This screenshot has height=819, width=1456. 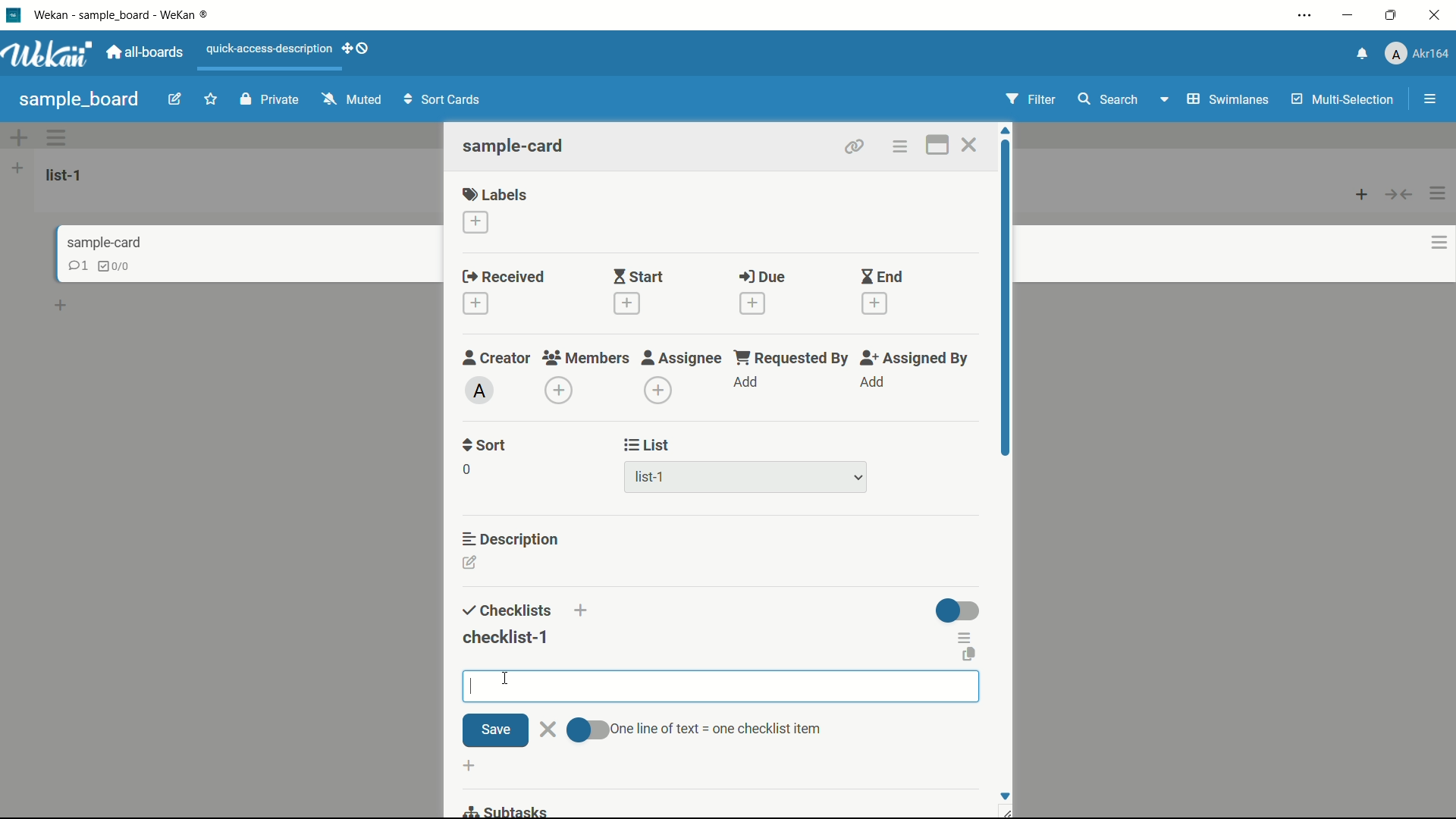 I want to click on assigned by, so click(x=913, y=359).